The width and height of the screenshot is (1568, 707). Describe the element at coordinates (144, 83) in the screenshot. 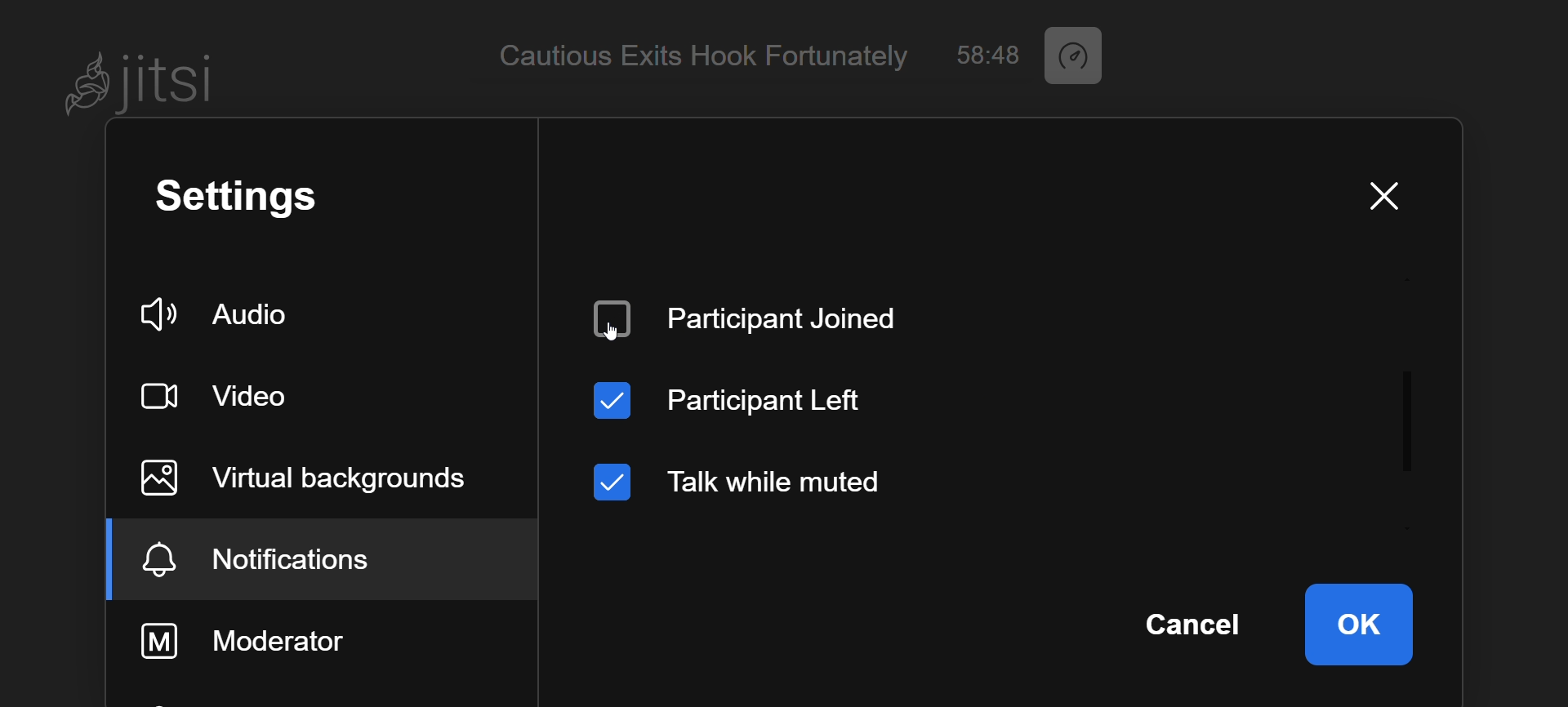

I see `Jitsi` at that location.